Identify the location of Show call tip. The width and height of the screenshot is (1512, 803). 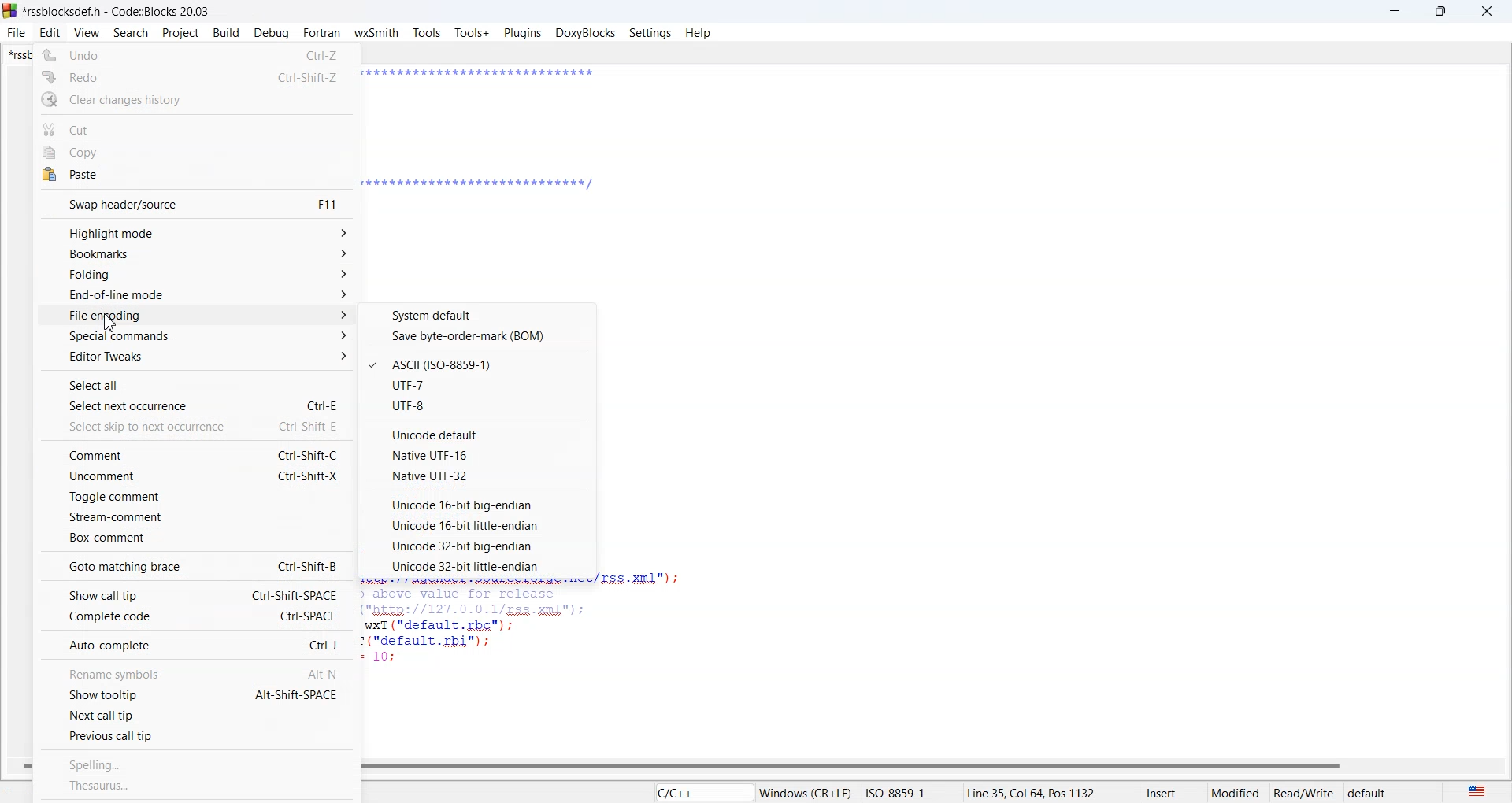
(196, 594).